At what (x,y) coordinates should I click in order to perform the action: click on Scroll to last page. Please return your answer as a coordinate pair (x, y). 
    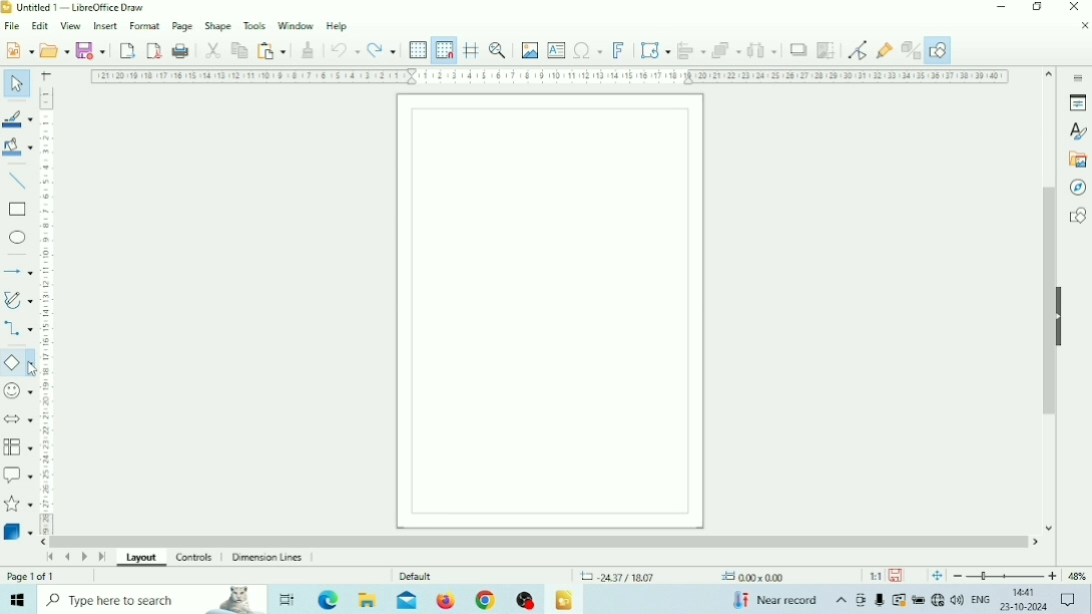
    Looking at the image, I should click on (102, 557).